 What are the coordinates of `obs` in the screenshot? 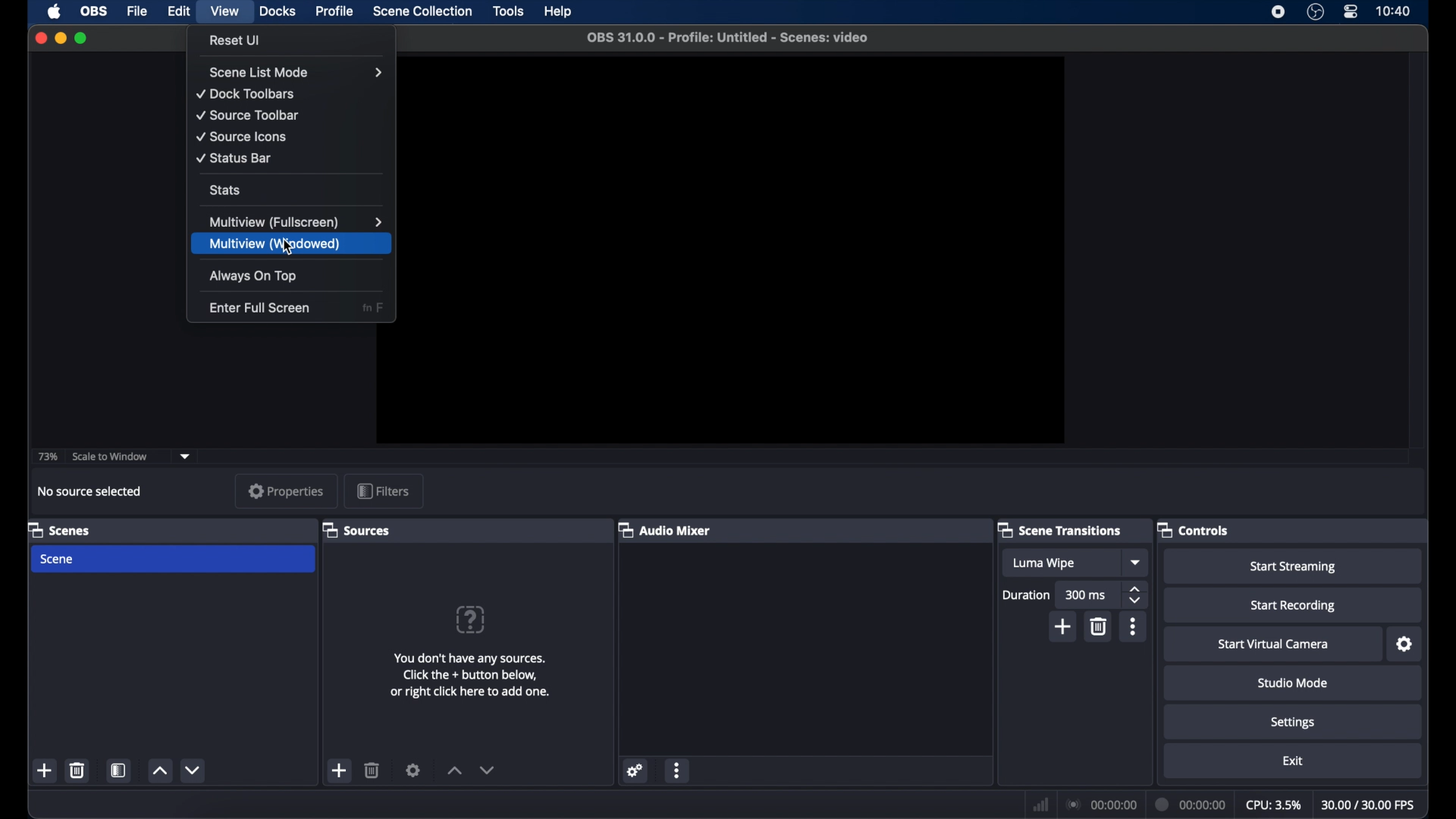 It's located at (93, 12).